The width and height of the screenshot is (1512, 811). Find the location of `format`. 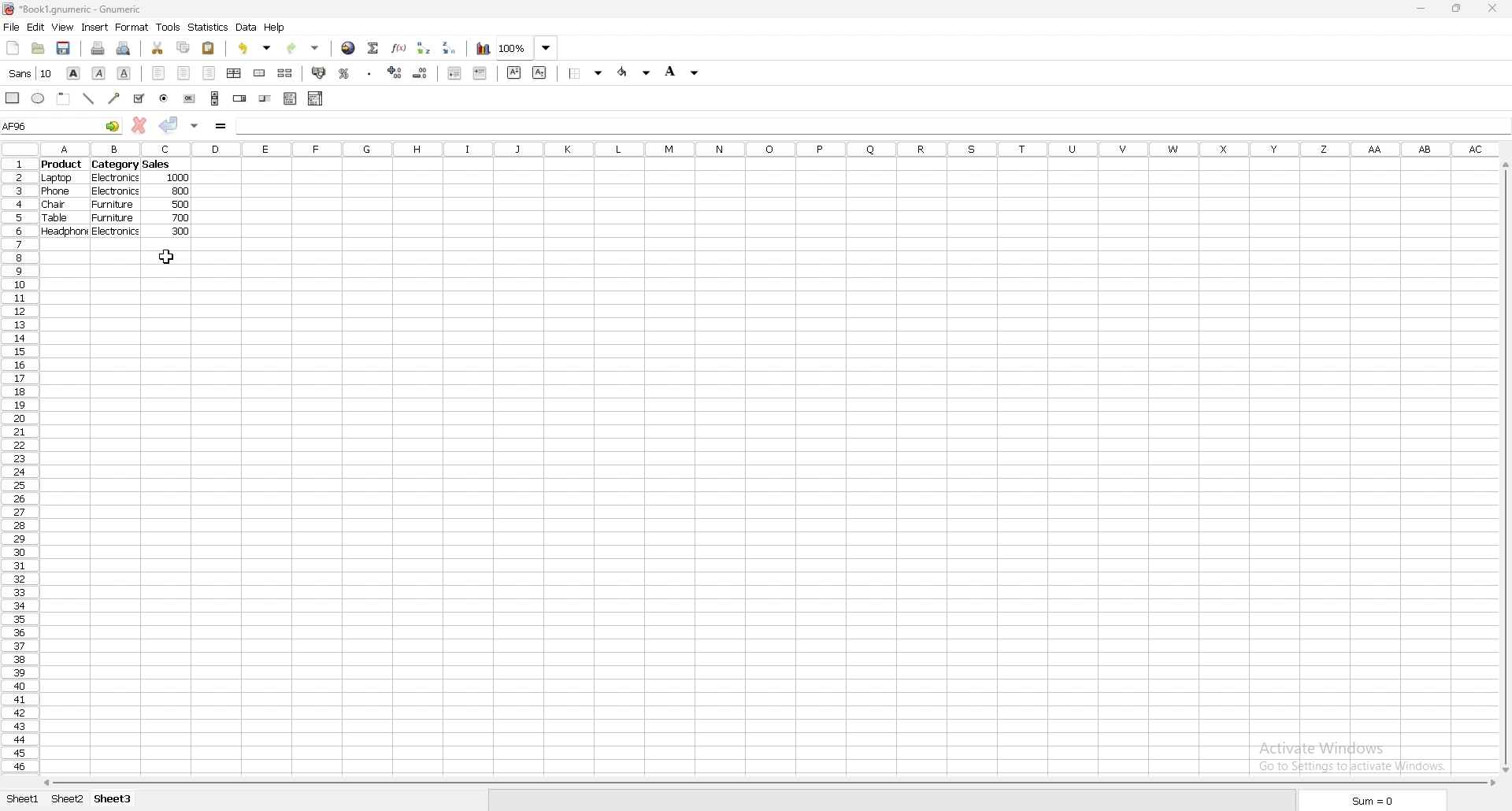

format is located at coordinates (132, 27).